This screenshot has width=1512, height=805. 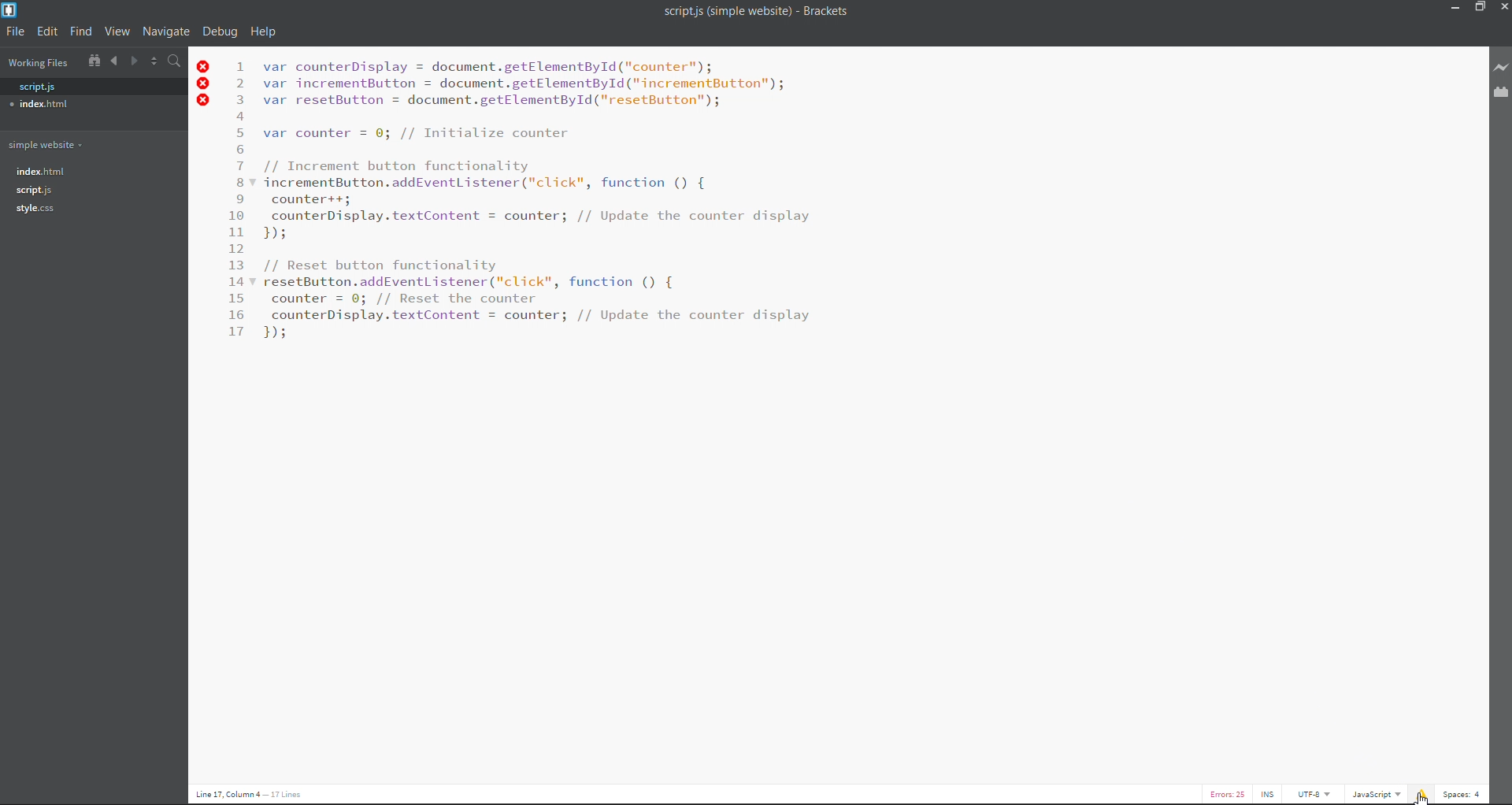 I want to click on index.html, so click(x=41, y=106).